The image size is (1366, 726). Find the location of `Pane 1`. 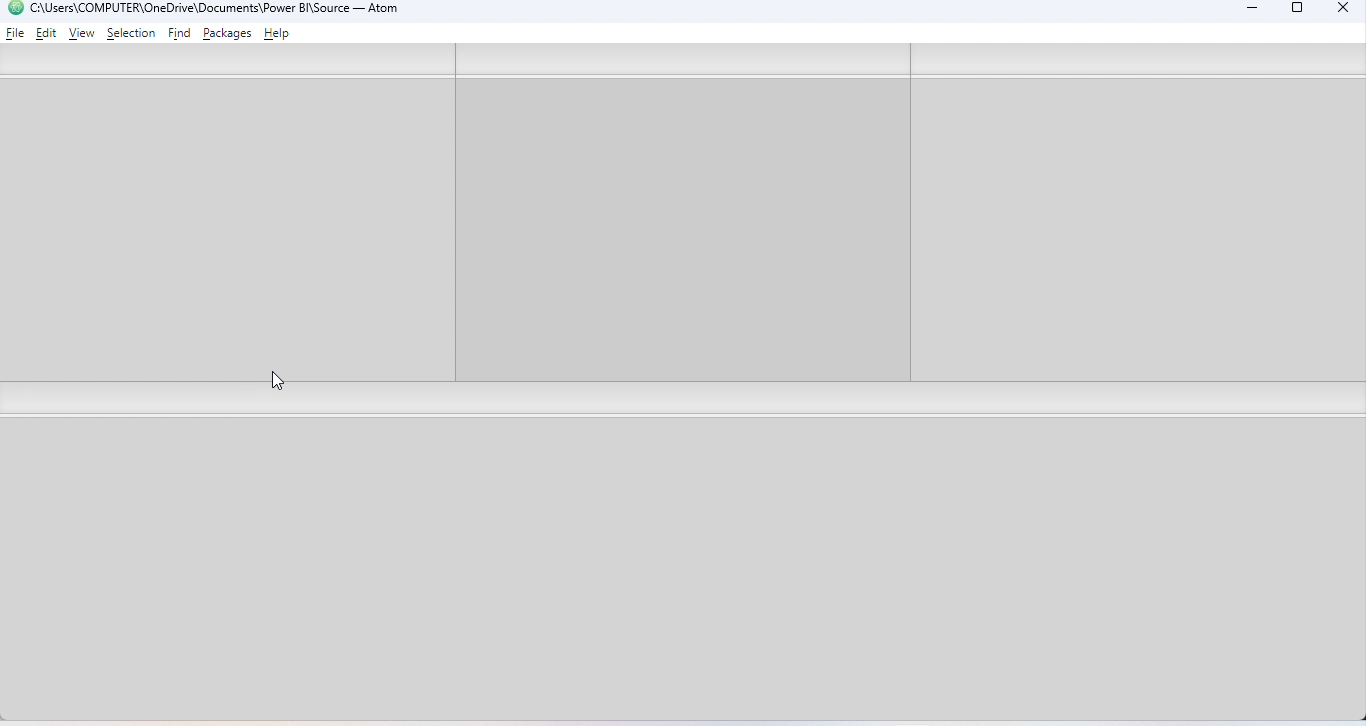

Pane 1 is located at coordinates (226, 214).